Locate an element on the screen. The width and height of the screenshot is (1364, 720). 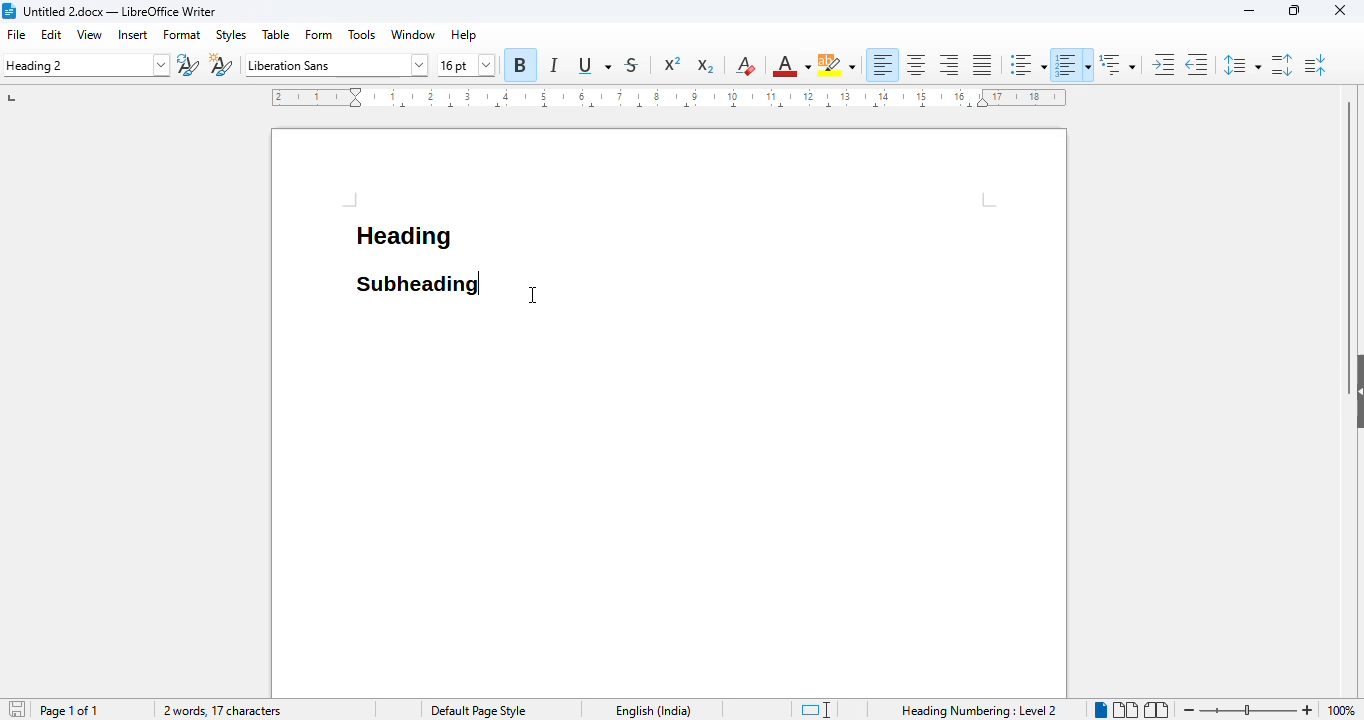
close is located at coordinates (1341, 11).